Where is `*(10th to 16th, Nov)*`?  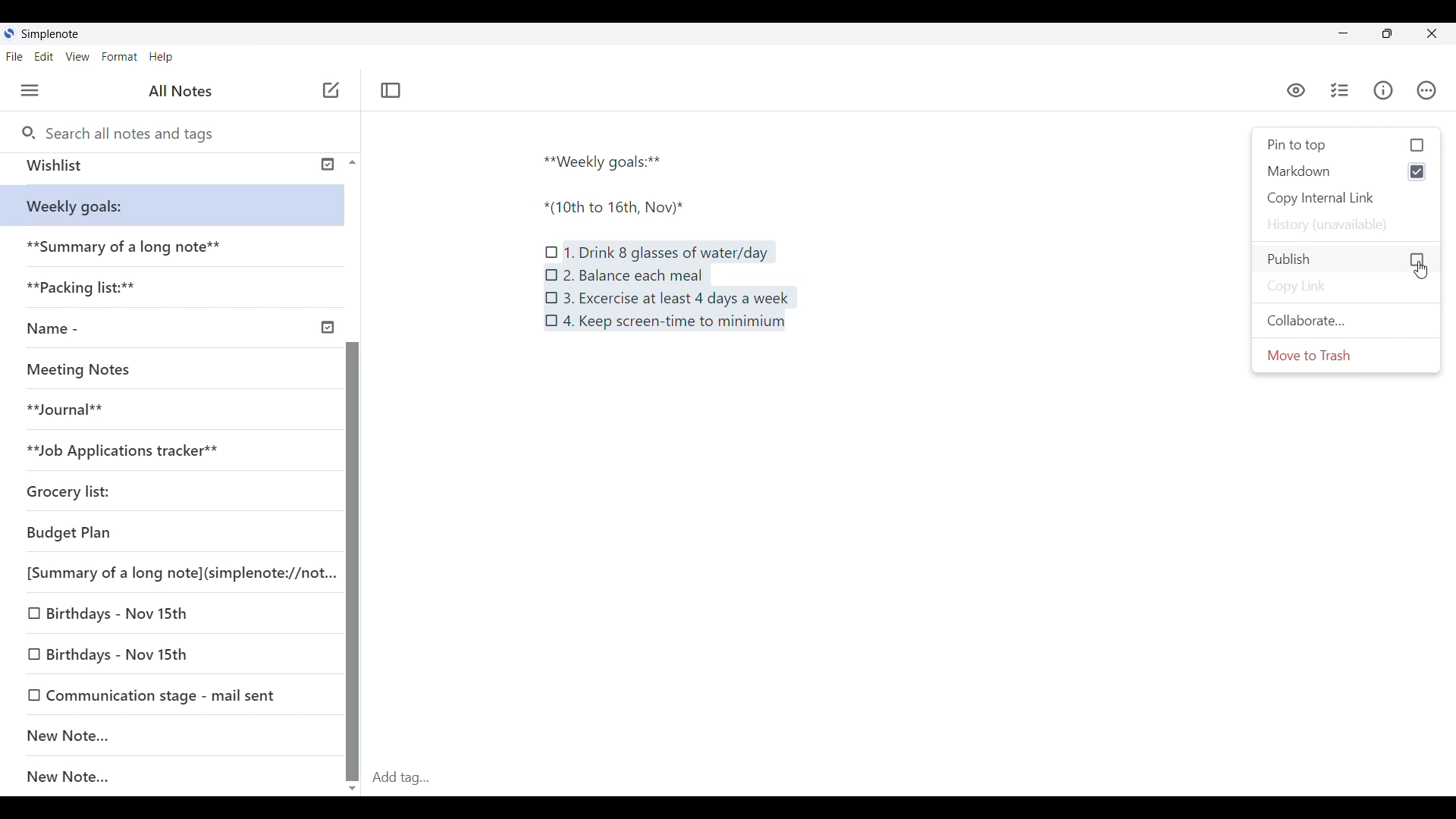
*(10th to 16th, Nov)* is located at coordinates (624, 208).